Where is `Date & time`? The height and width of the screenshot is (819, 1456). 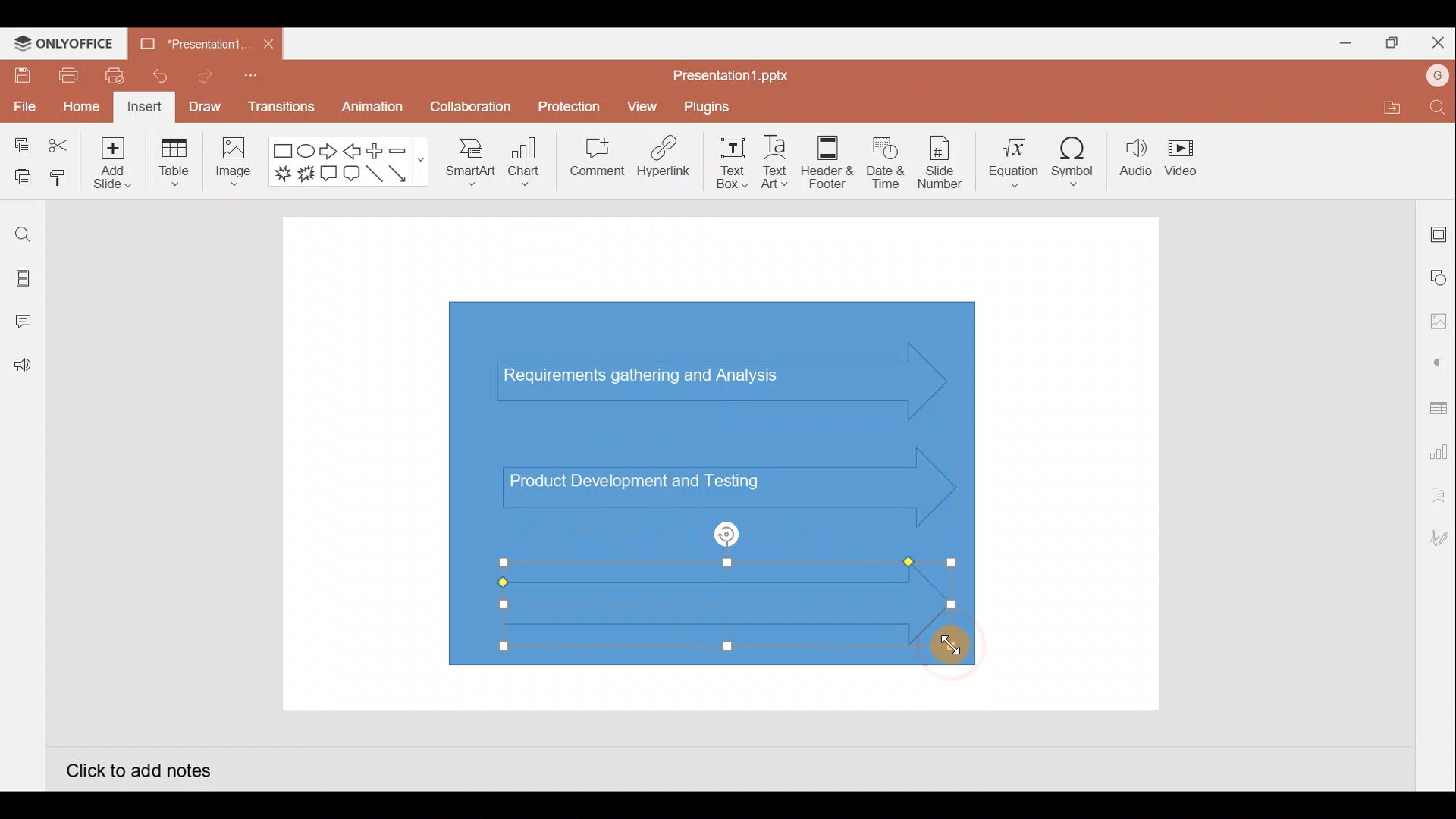 Date & time is located at coordinates (886, 162).